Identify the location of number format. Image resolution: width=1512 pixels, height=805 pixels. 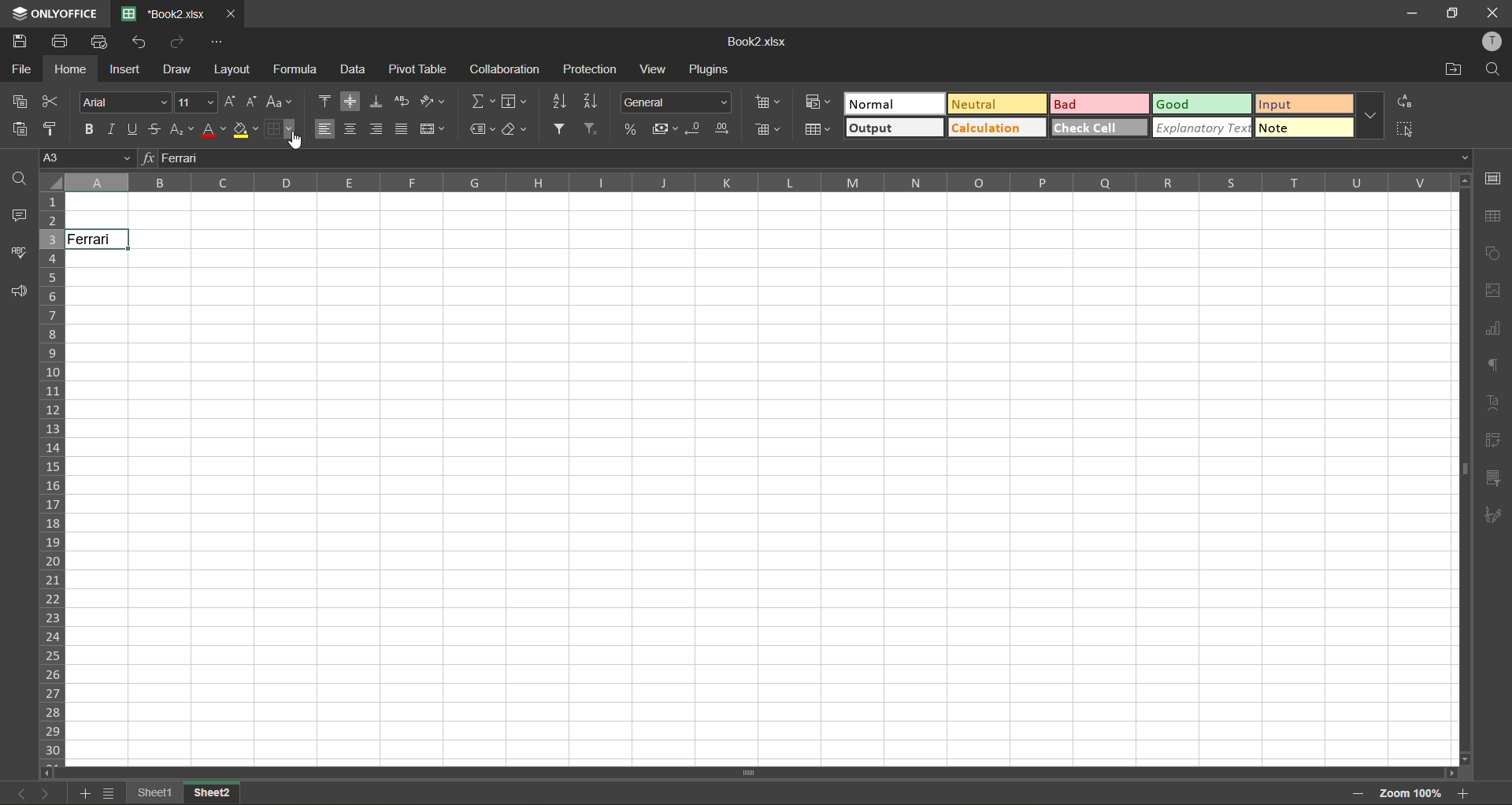
(675, 101).